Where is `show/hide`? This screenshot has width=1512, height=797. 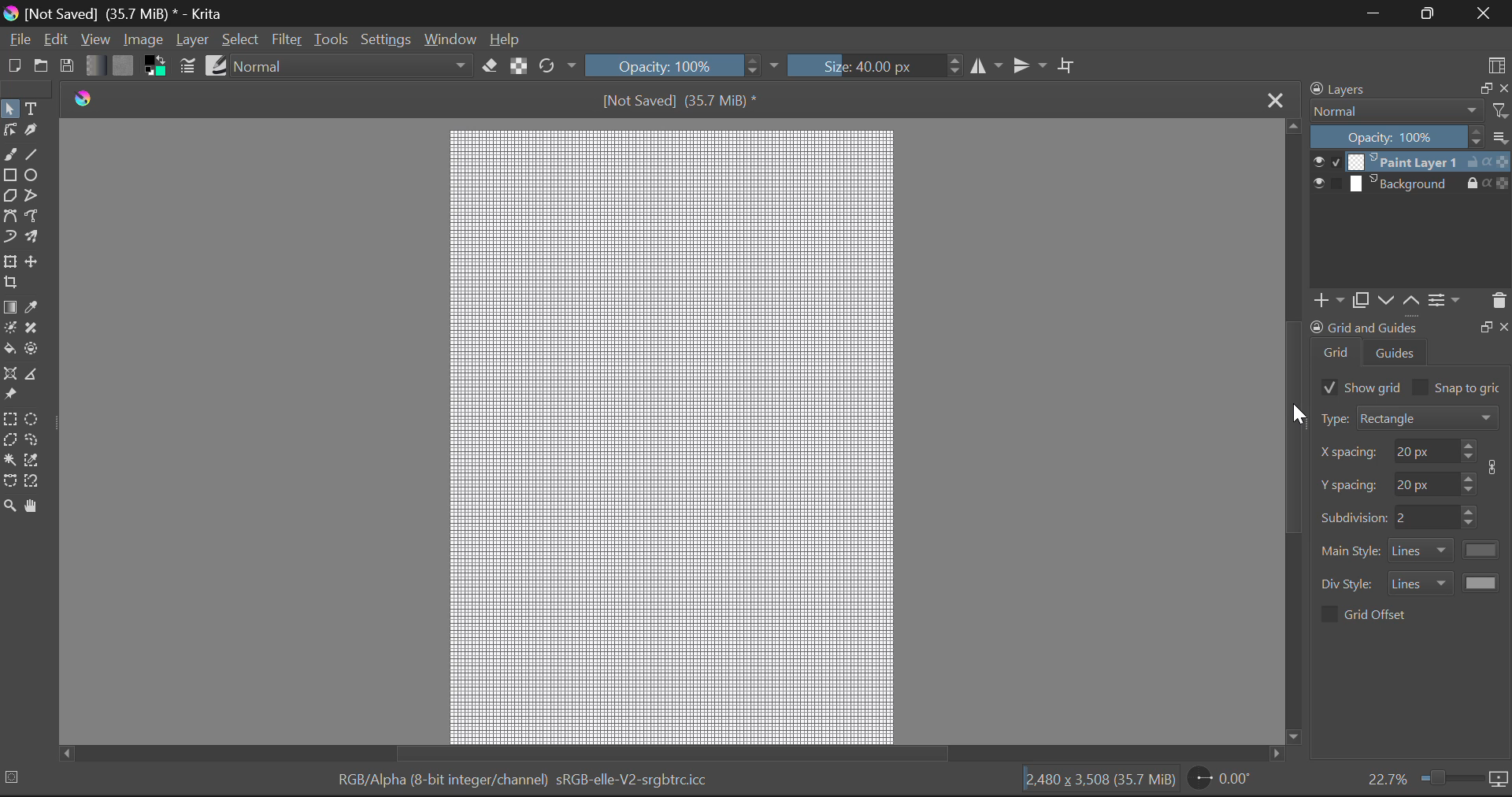 show/hide is located at coordinates (1326, 161).